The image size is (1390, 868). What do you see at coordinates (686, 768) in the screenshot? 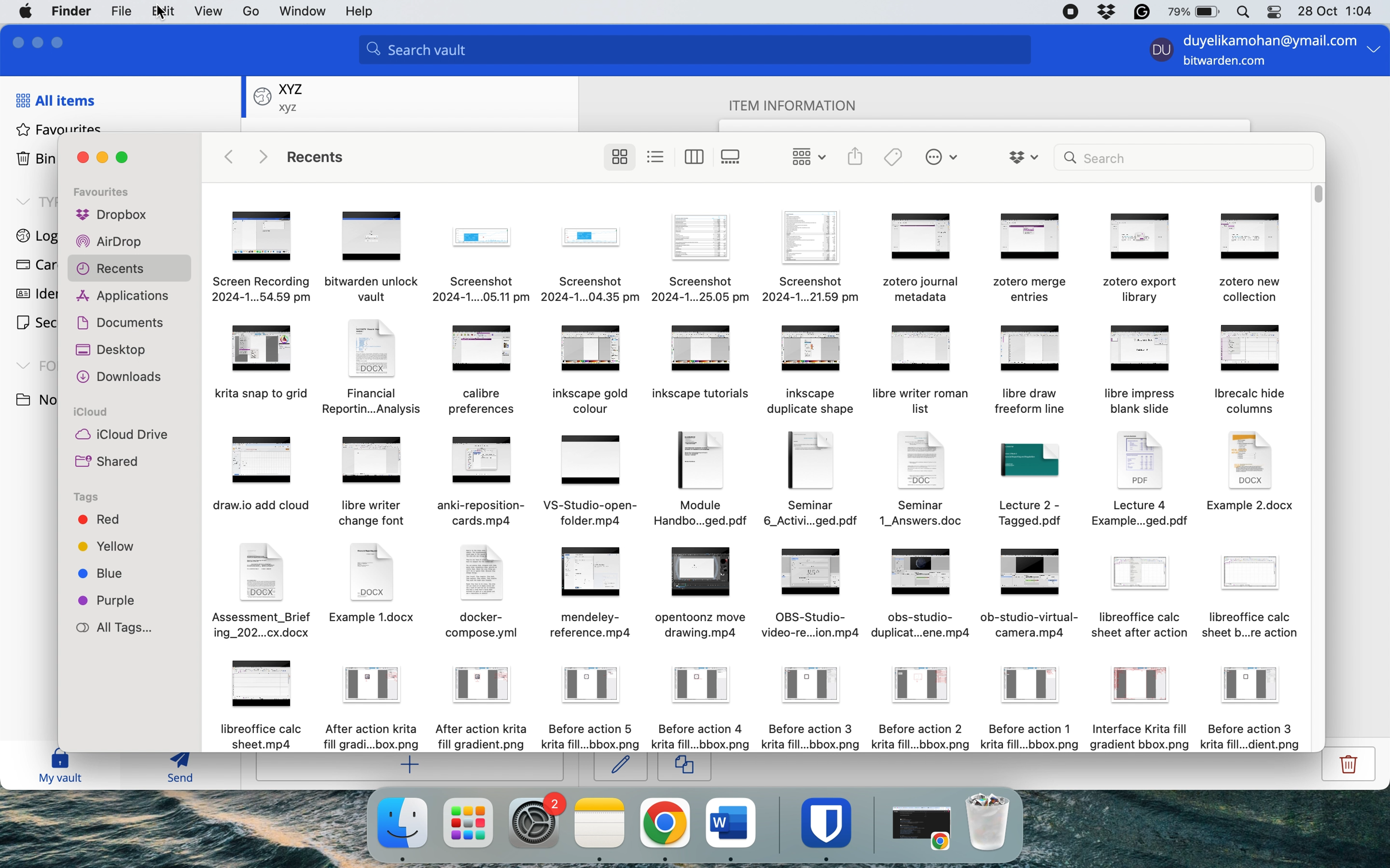
I see `copy` at bounding box center [686, 768].